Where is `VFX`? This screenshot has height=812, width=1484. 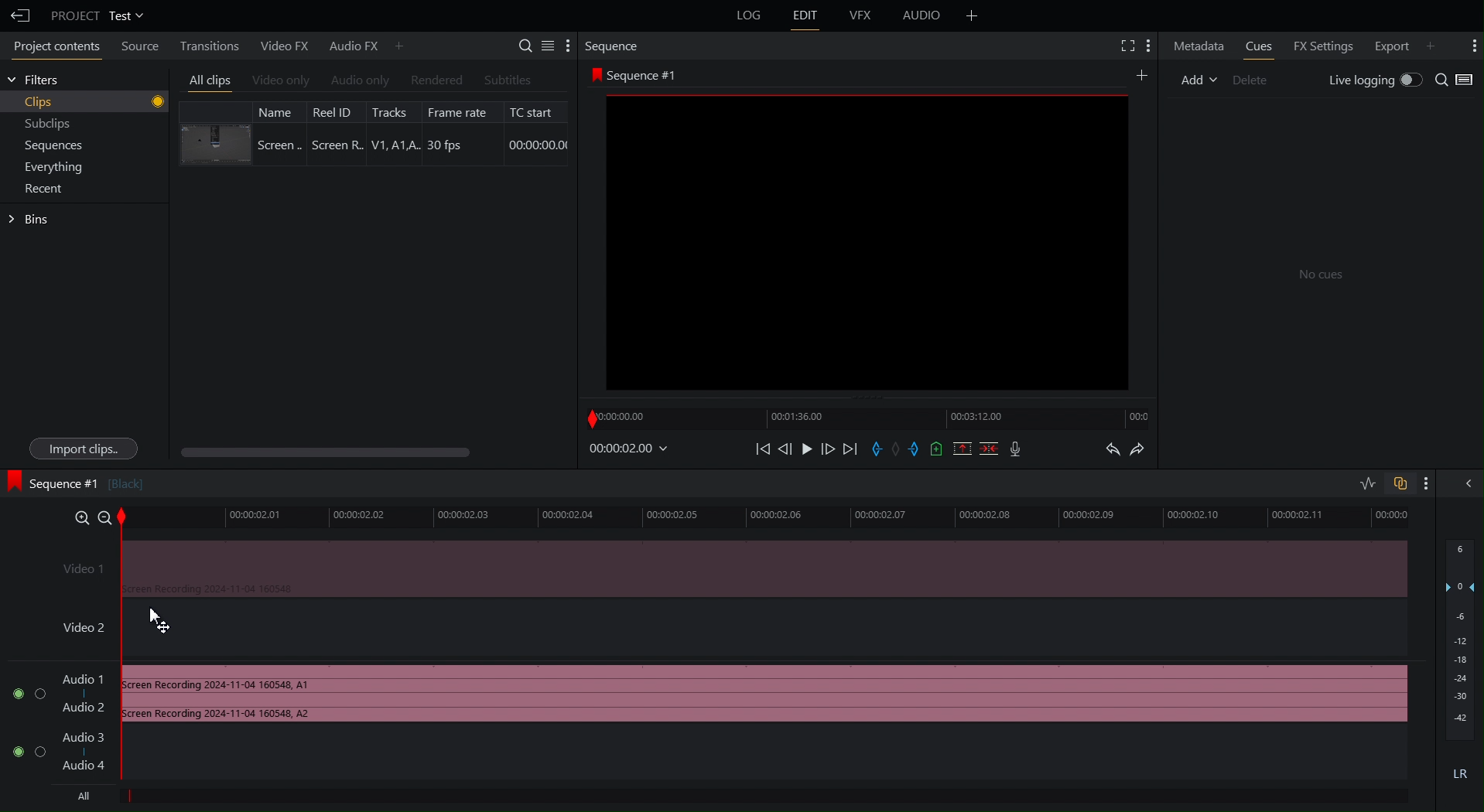 VFX is located at coordinates (861, 16).